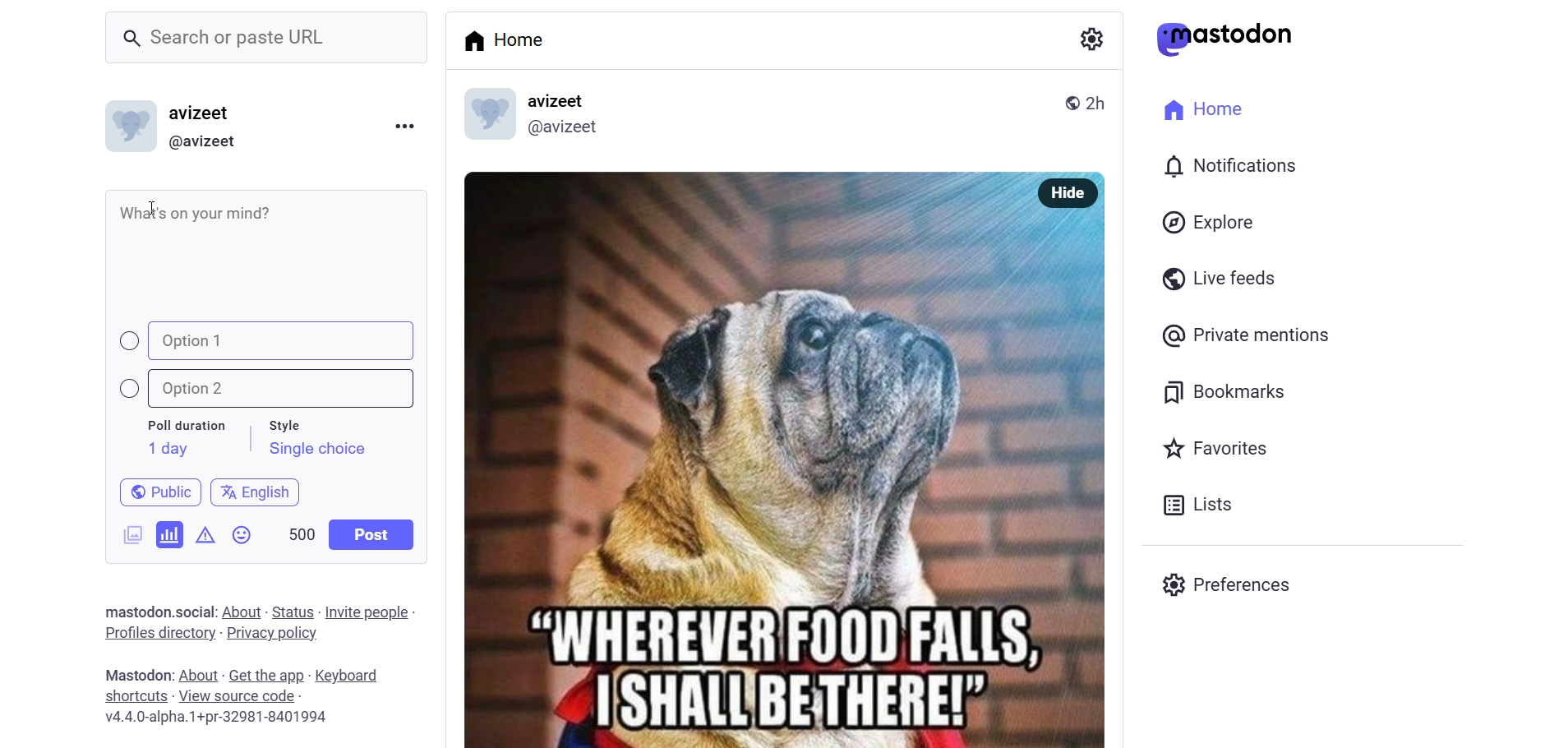 This screenshot has width=1568, height=748. I want to click on mastodon, so click(133, 609).